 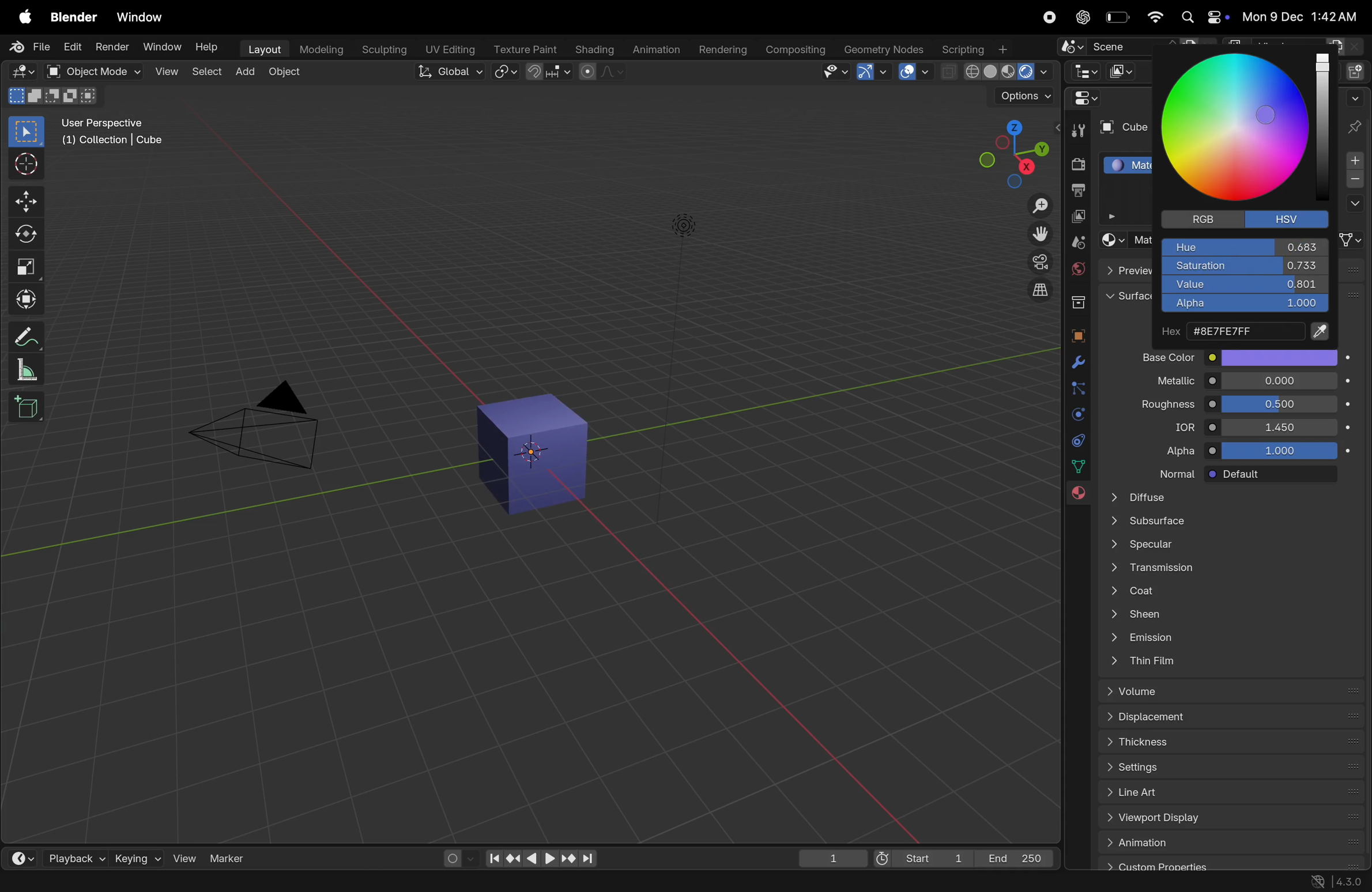 What do you see at coordinates (1078, 363) in the screenshot?
I see `modifiers` at bounding box center [1078, 363].